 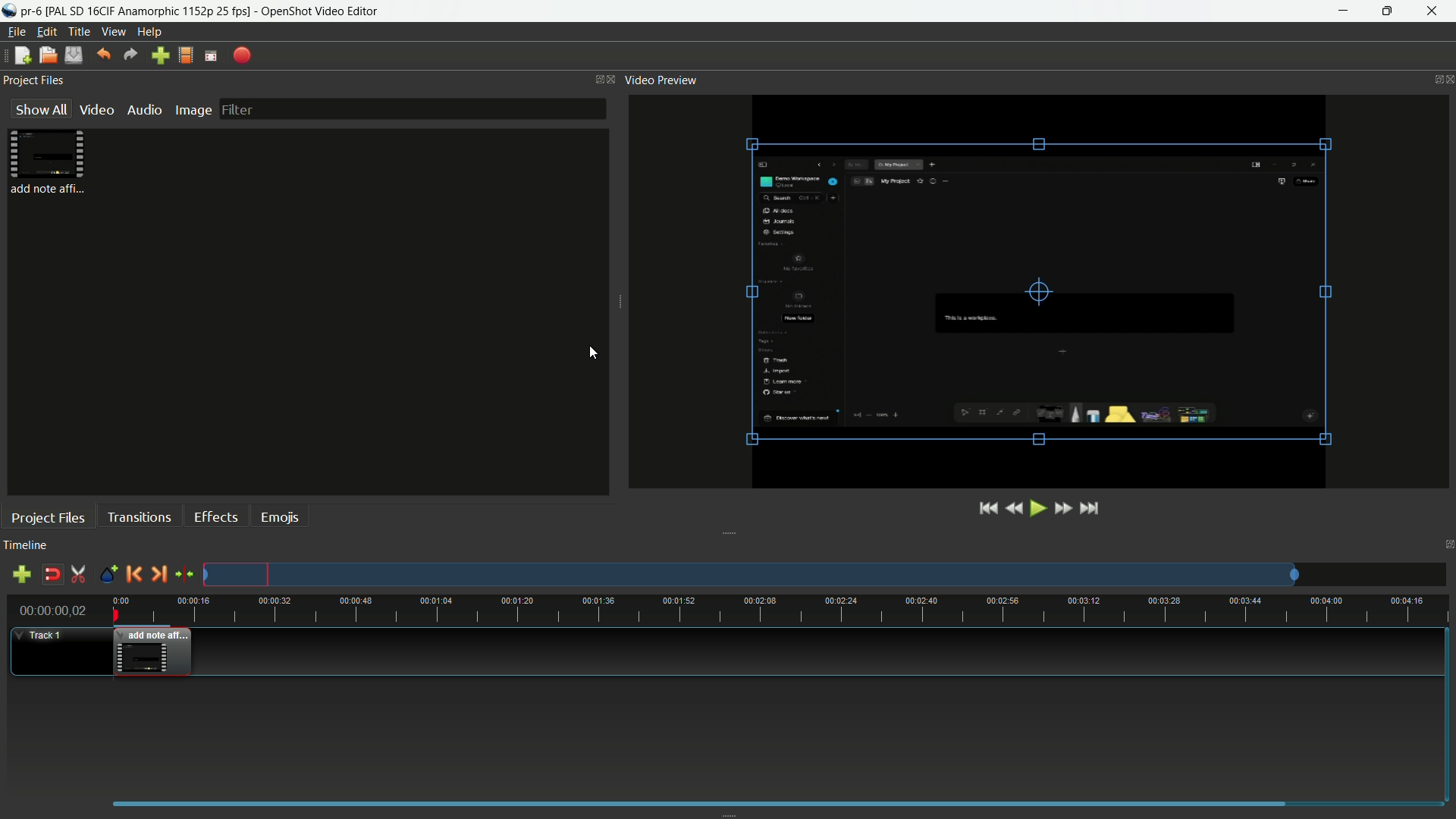 I want to click on close video preview, so click(x=1450, y=80).